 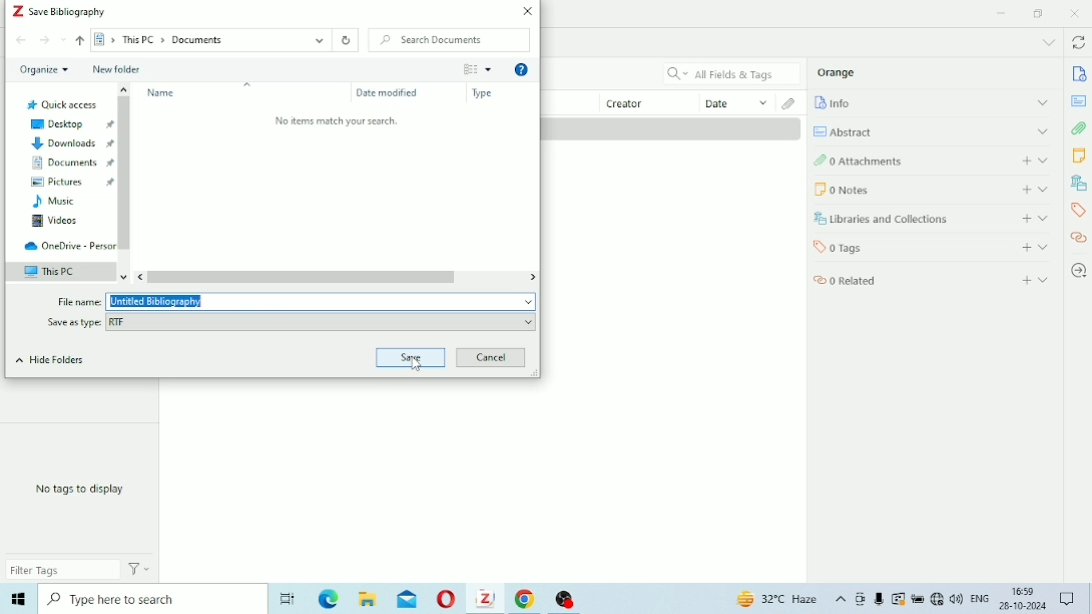 What do you see at coordinates (63, 569) in the screenshot?
I see `Filter Tags` at bounding box center [63, 569].